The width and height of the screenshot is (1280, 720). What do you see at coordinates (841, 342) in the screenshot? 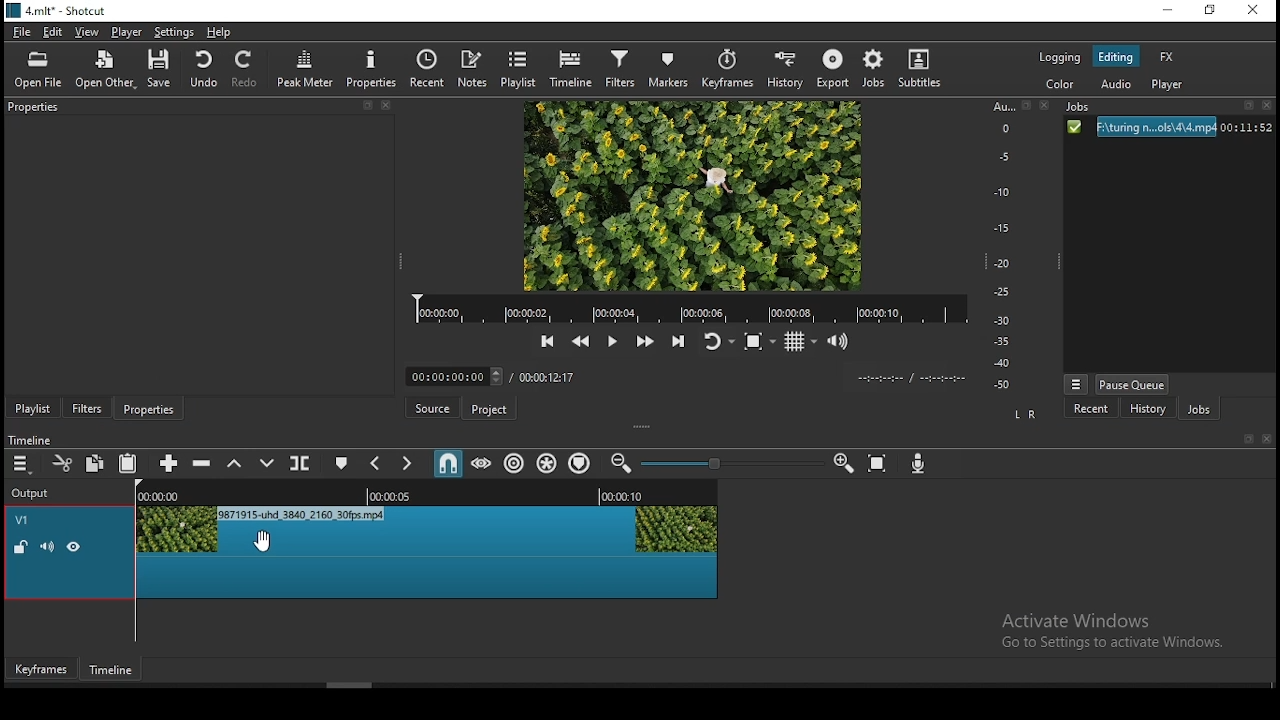
I see `show volume control` at bounding box center [841, 342].